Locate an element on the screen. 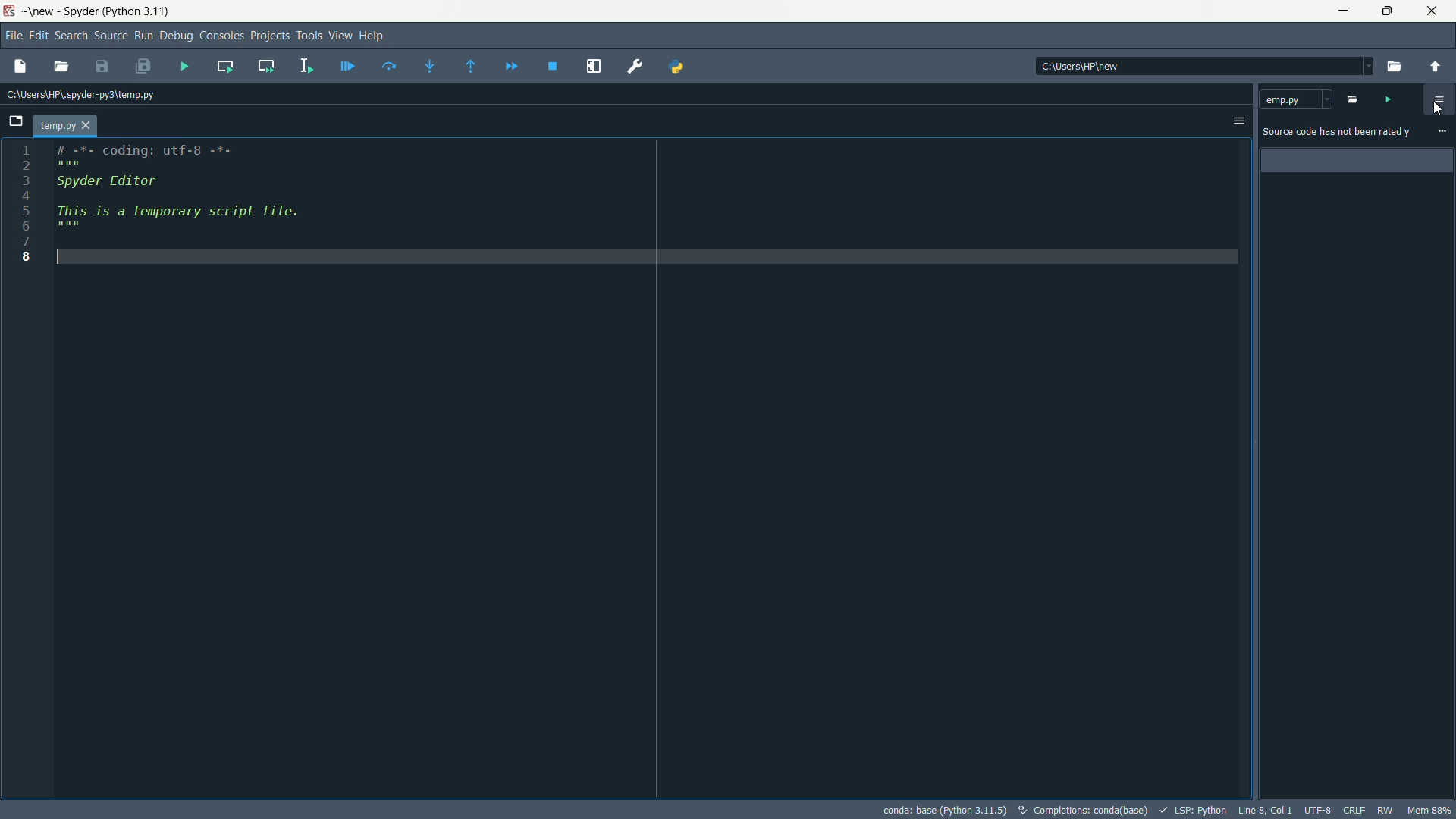  ‘spyder Editor is located at coordinates (130, 184).